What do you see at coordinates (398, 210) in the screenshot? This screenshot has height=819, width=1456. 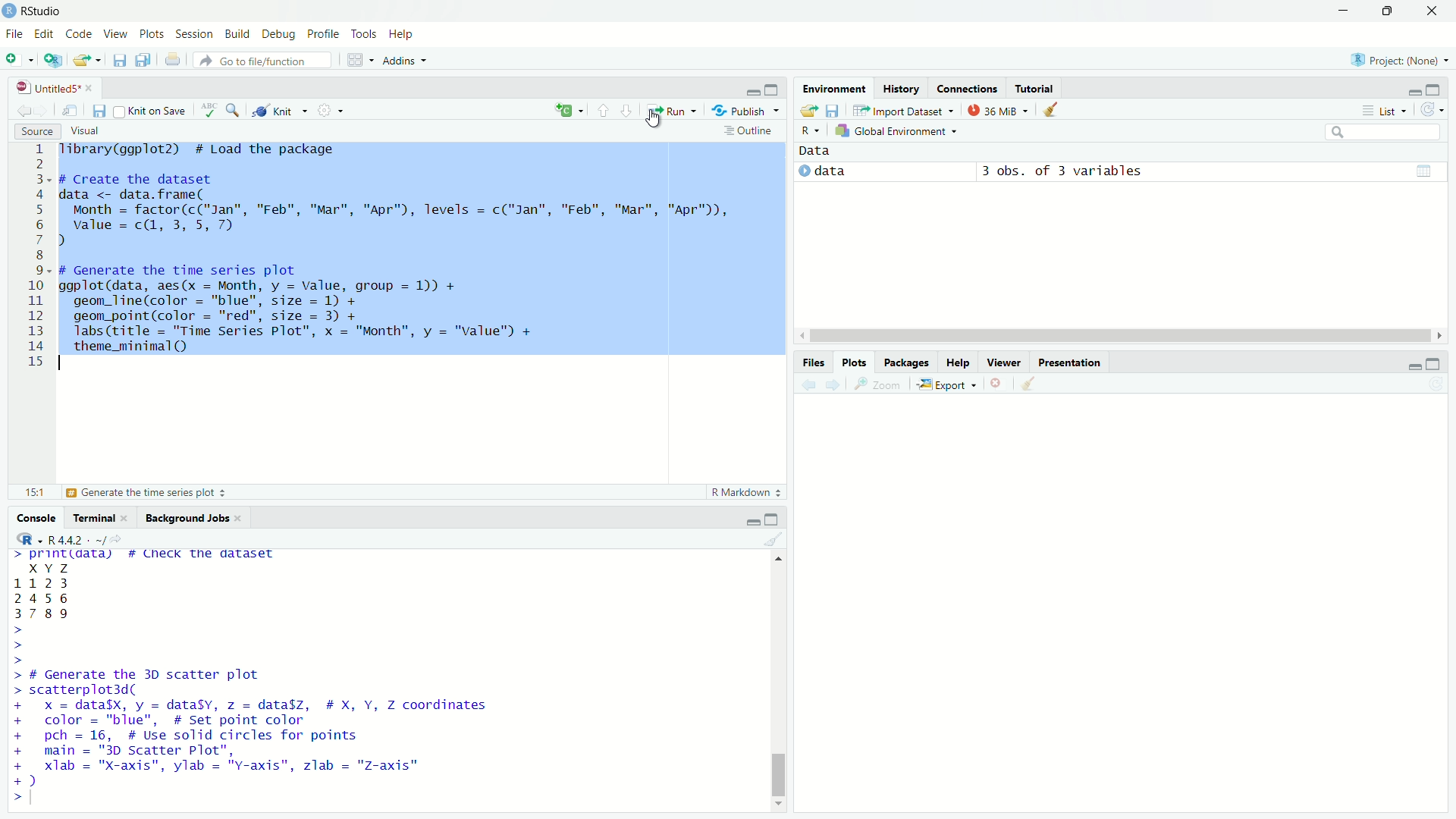 I see `code to create the dataset` at bounding box center [398, 210].